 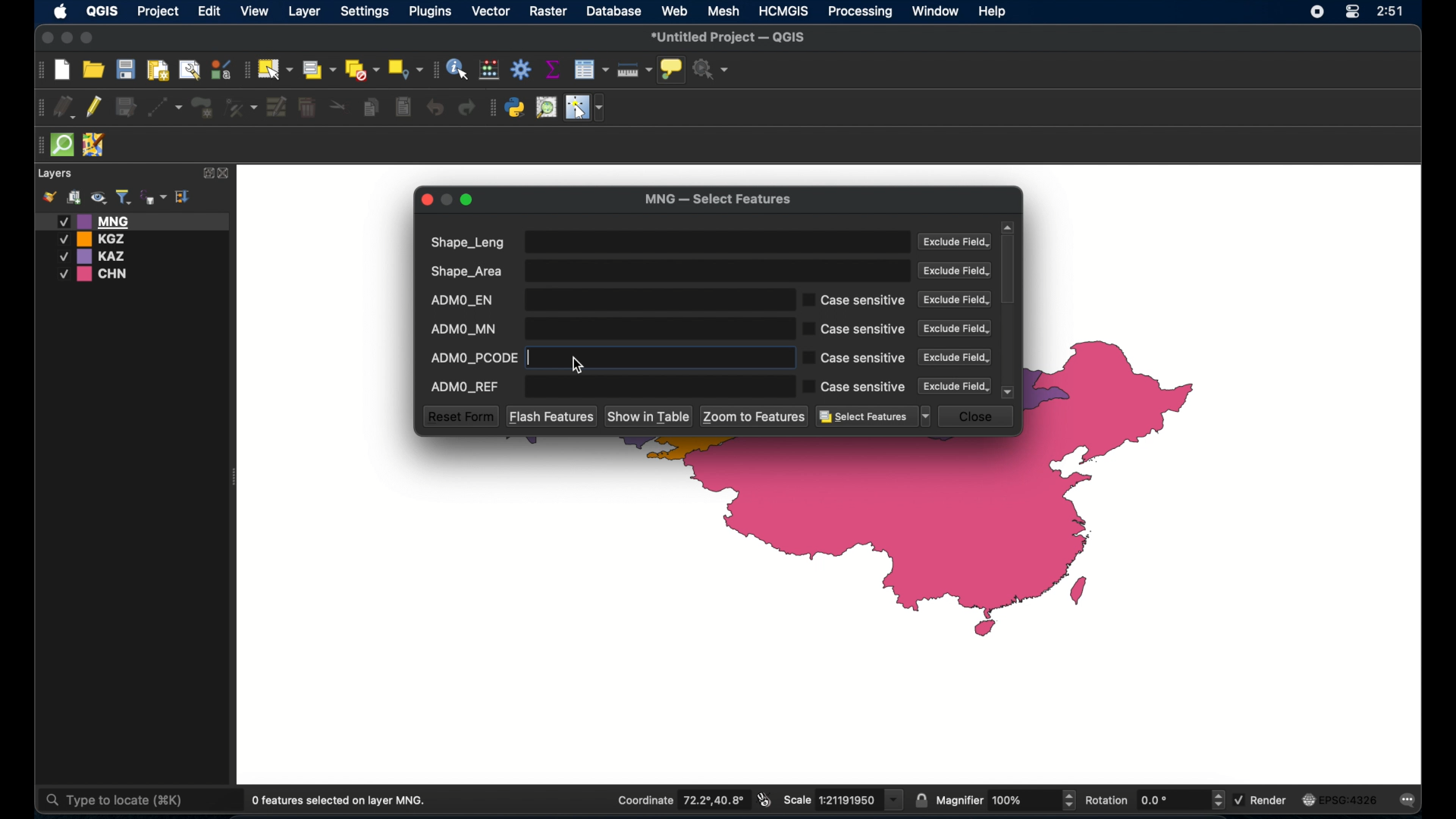 I want to click on deselect all features, so click(x=362, y=70).